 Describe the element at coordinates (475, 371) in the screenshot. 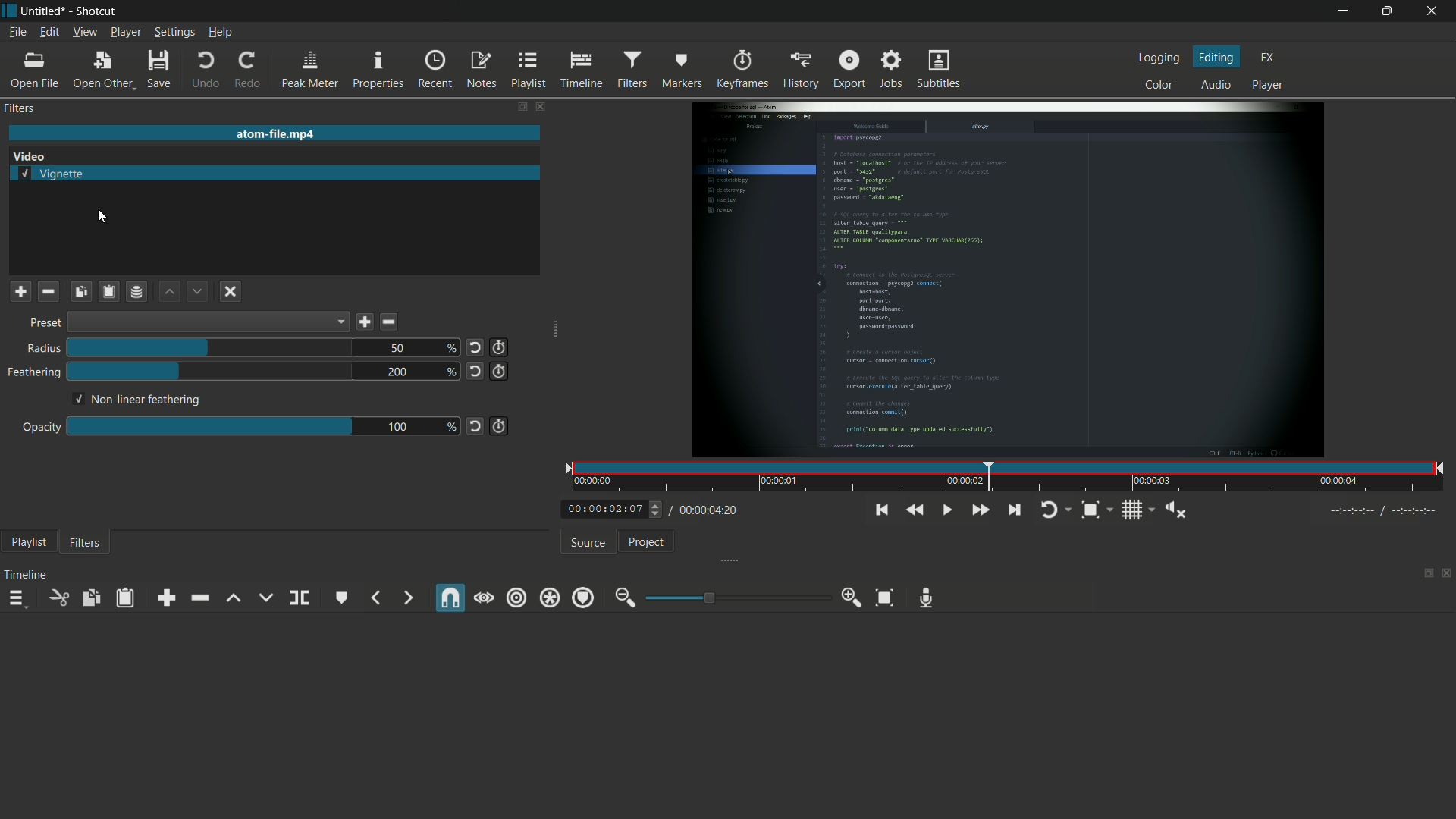

I see `reset to default` at that location.